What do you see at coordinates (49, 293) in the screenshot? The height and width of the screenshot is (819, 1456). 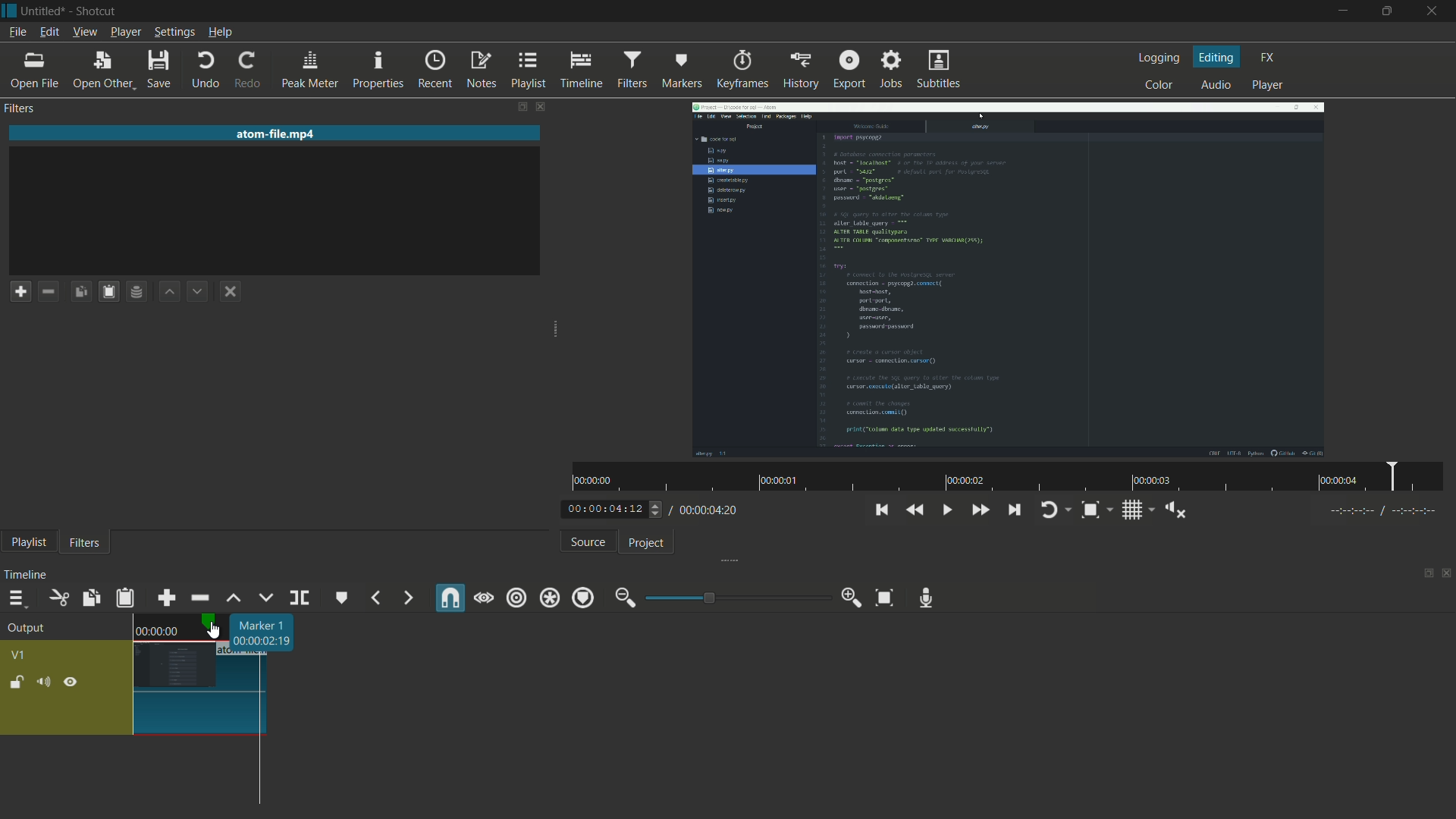 I see `remove filter` at bounding box center [49, 293].